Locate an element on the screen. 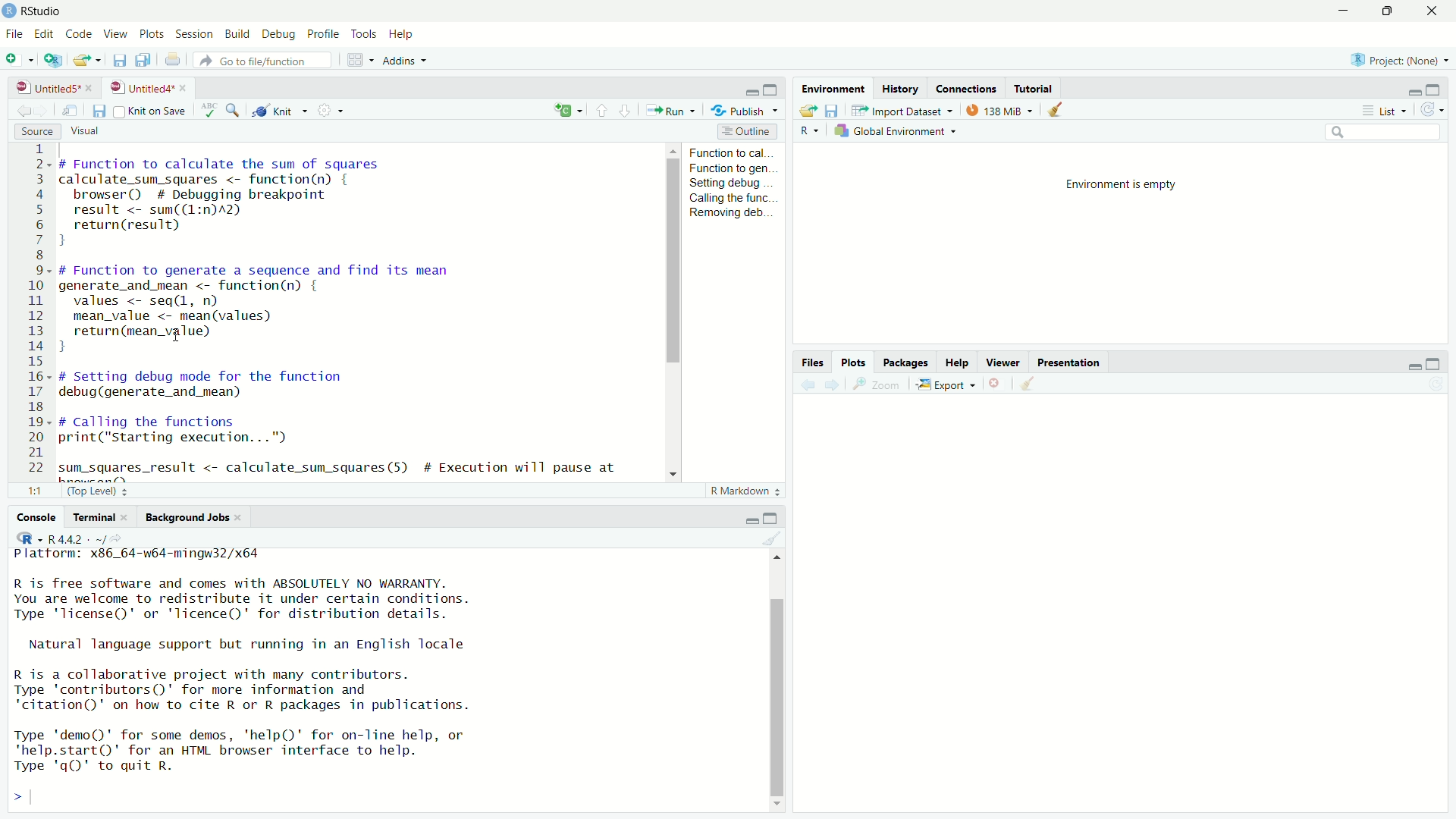 The height and width of the screenshot is (819, 1456). move up is located at coordinates (671, 149).